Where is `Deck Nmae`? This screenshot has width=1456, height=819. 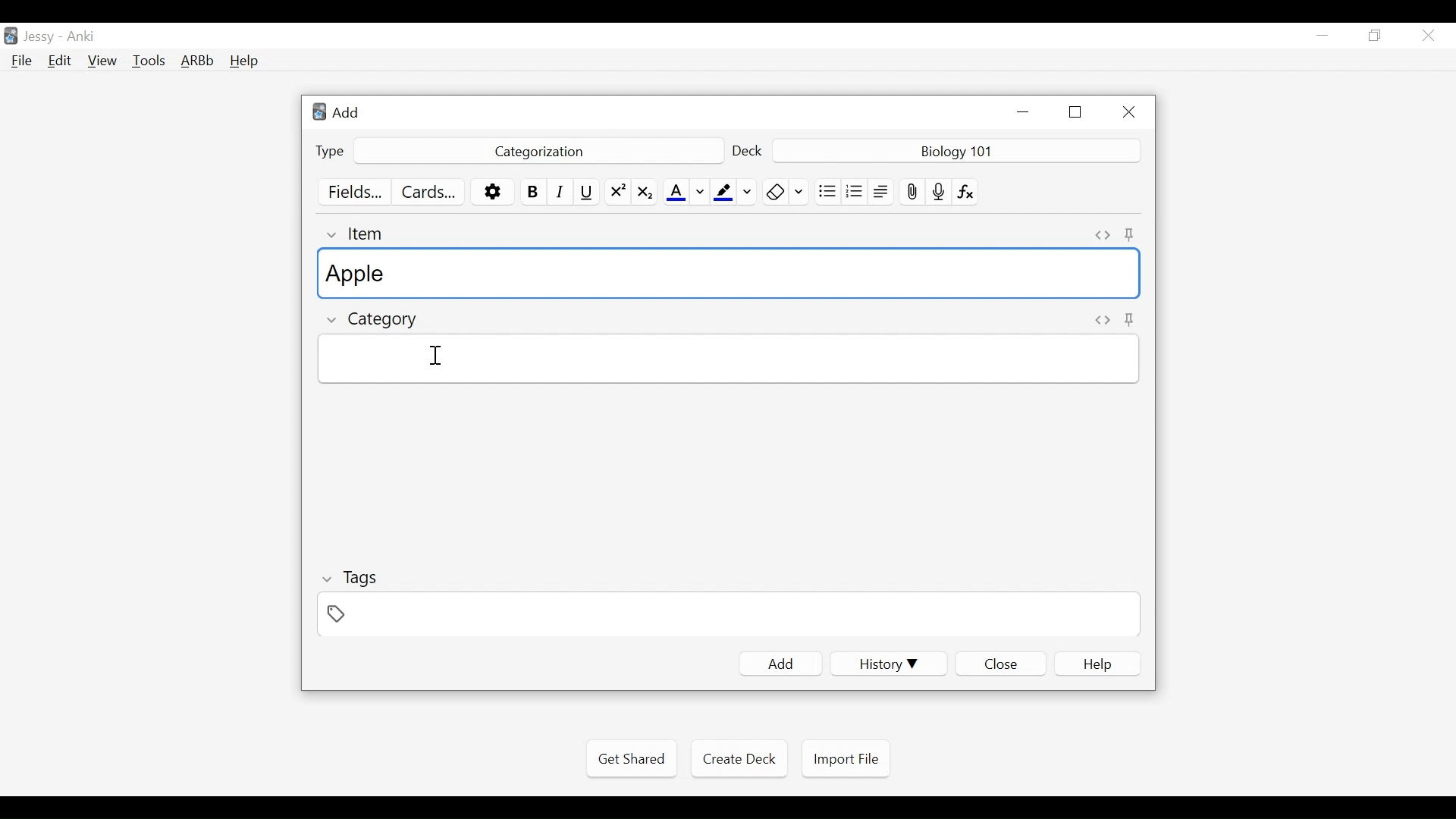
Deck Nmae is located at coordinates (958, 152).